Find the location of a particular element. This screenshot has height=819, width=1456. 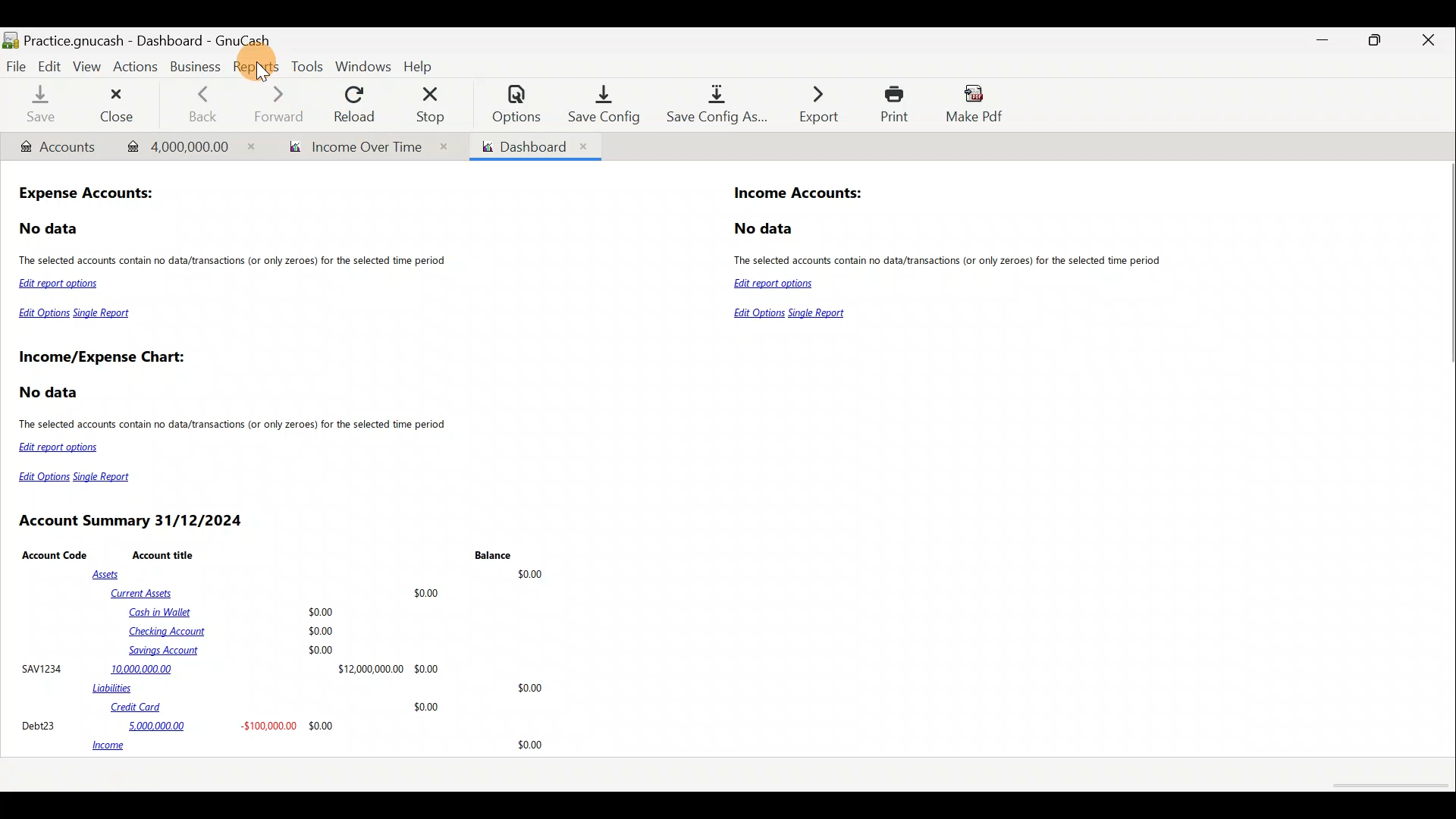

Account is located at coordinates (57, 147).